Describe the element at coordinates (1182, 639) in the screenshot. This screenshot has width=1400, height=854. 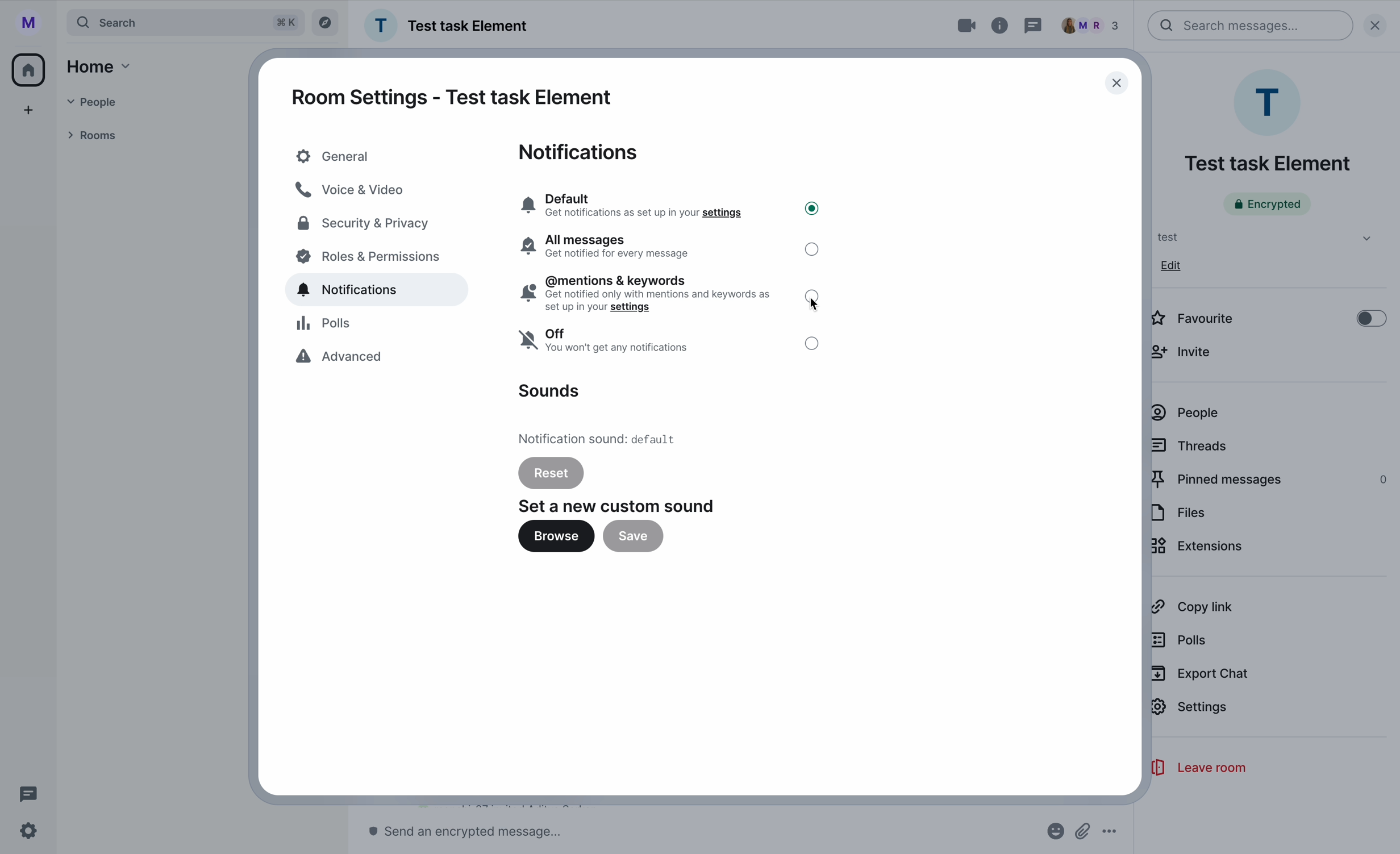
I see `polls` at that location.